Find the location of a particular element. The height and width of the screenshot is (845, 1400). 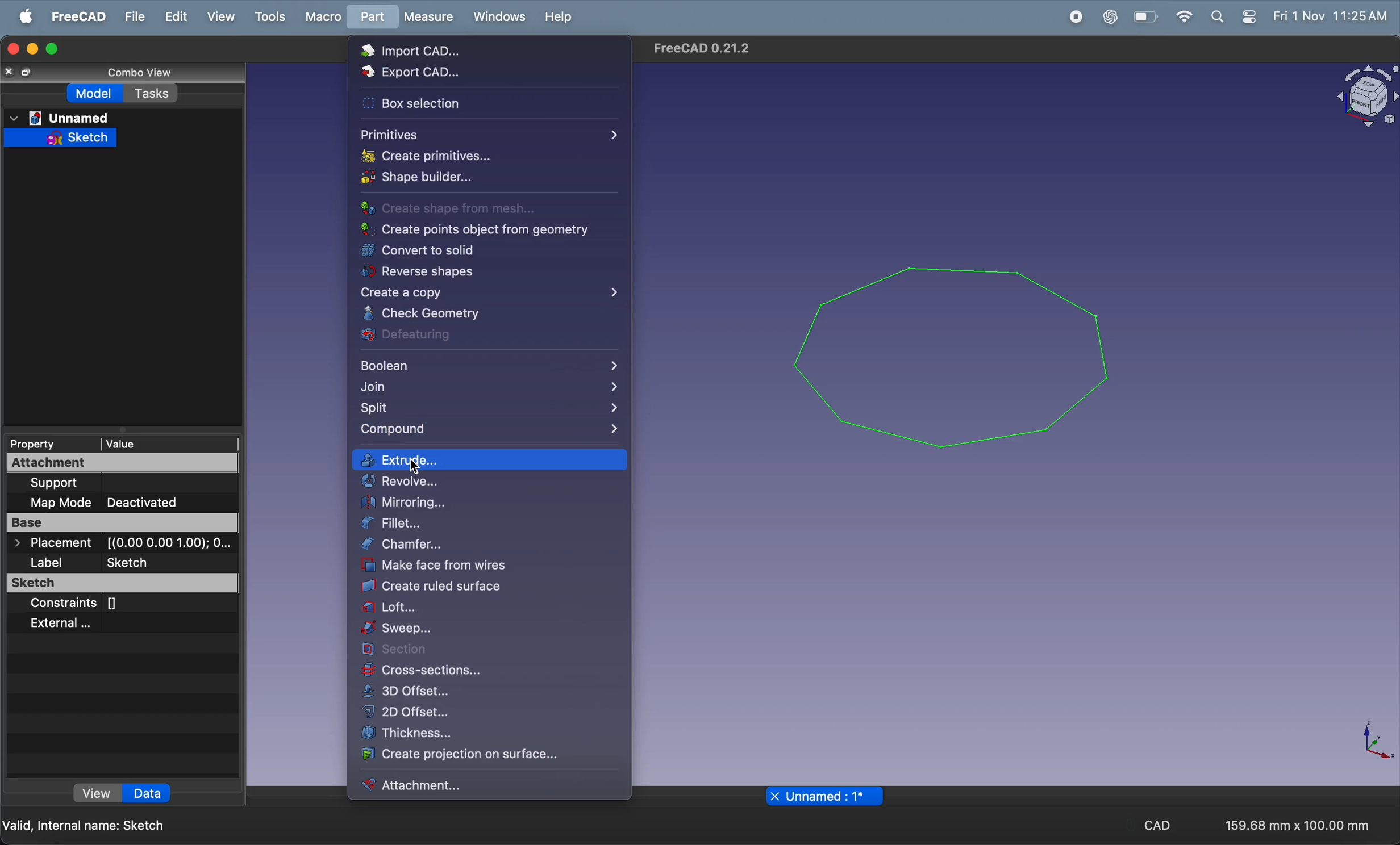

support is located at coordinates (107, 484).